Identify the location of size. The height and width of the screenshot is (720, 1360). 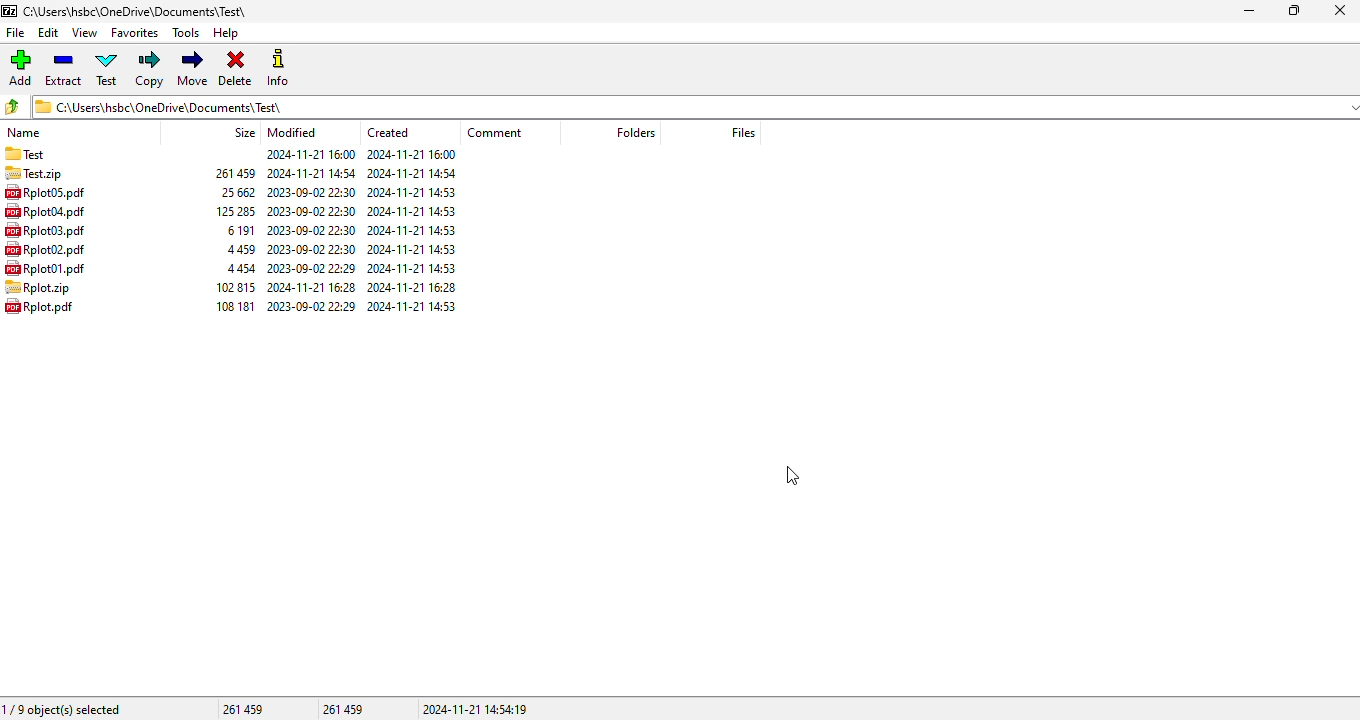
(232, 173).